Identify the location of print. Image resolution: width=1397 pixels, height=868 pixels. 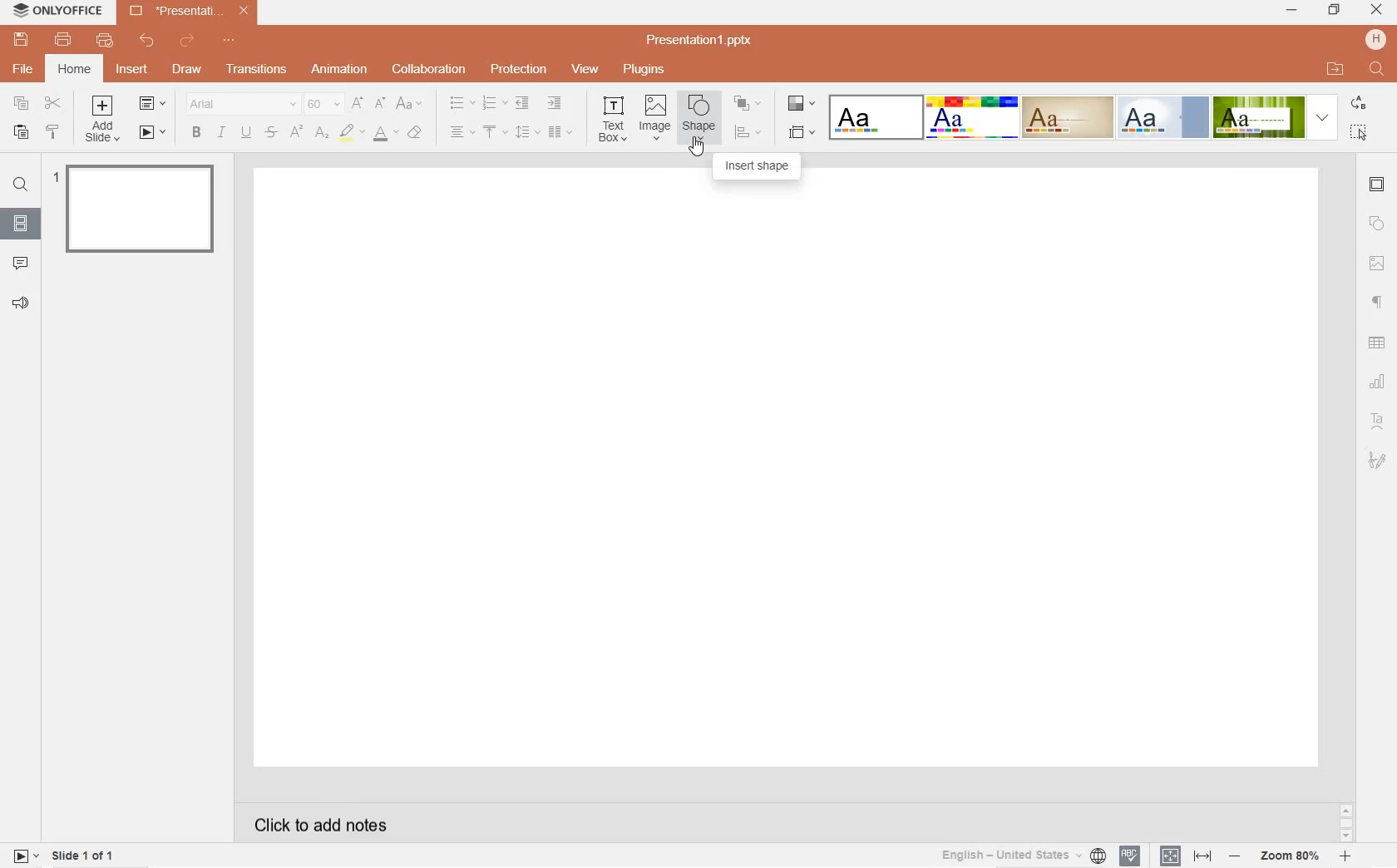
(64, 40).